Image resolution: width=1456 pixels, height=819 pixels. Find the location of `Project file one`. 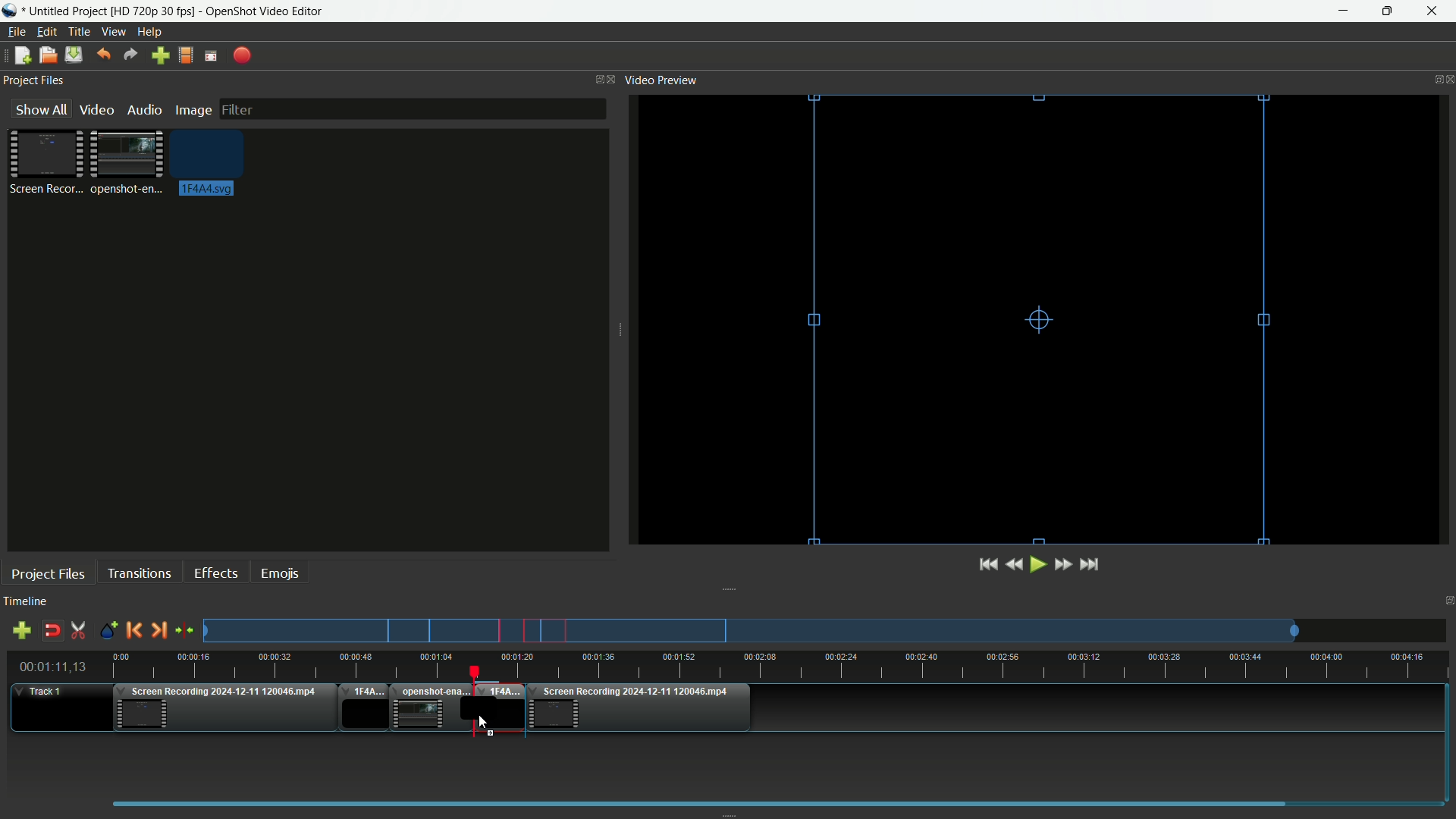

Project file one is located at coordinates (49, 161).